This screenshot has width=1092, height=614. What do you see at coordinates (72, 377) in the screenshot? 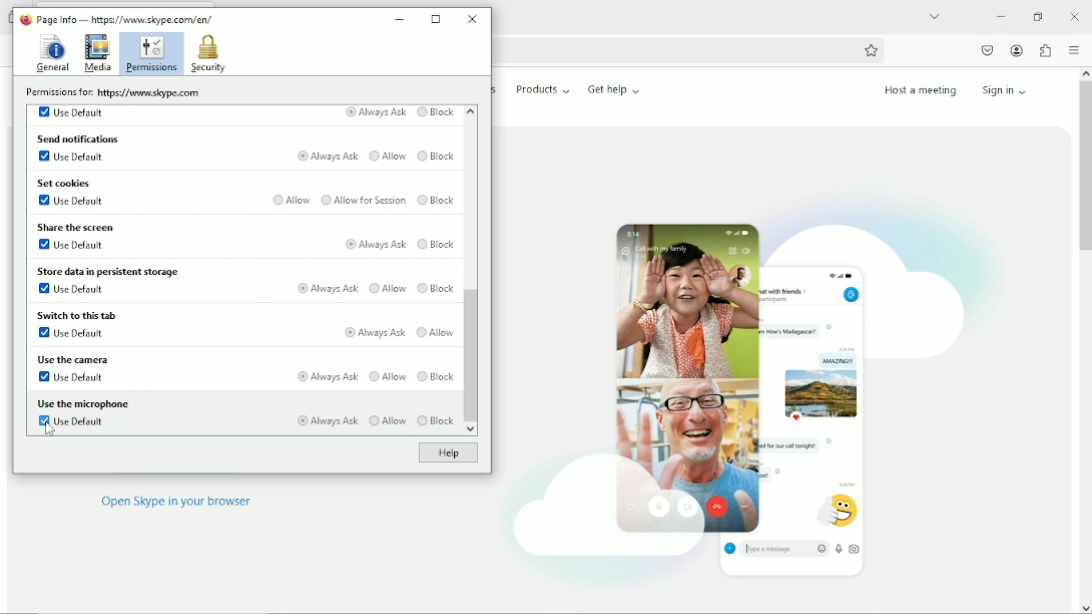
I see `Use default` at bounding box center [72, 377].